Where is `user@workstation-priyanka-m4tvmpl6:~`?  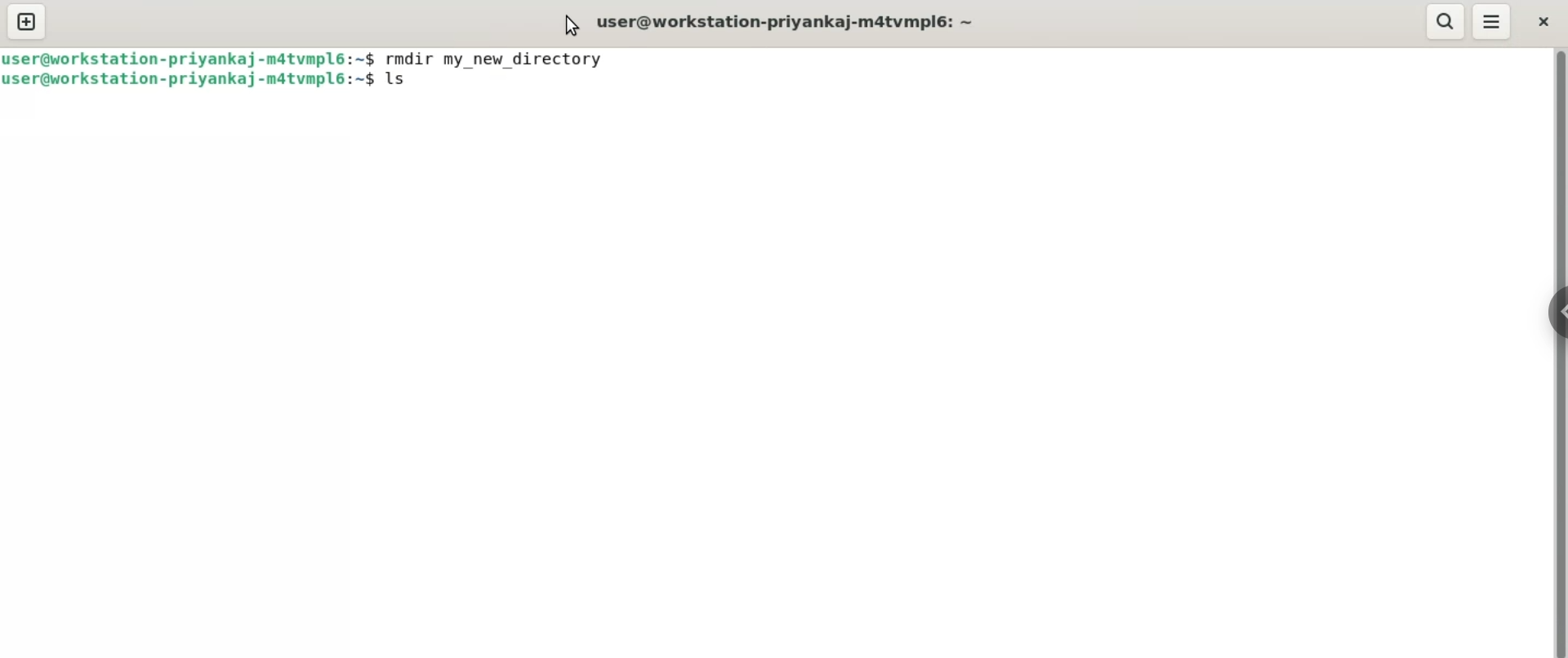 user@workstation-priyanka-m4tvmpl6:~ is located at coordinates (791, 20).